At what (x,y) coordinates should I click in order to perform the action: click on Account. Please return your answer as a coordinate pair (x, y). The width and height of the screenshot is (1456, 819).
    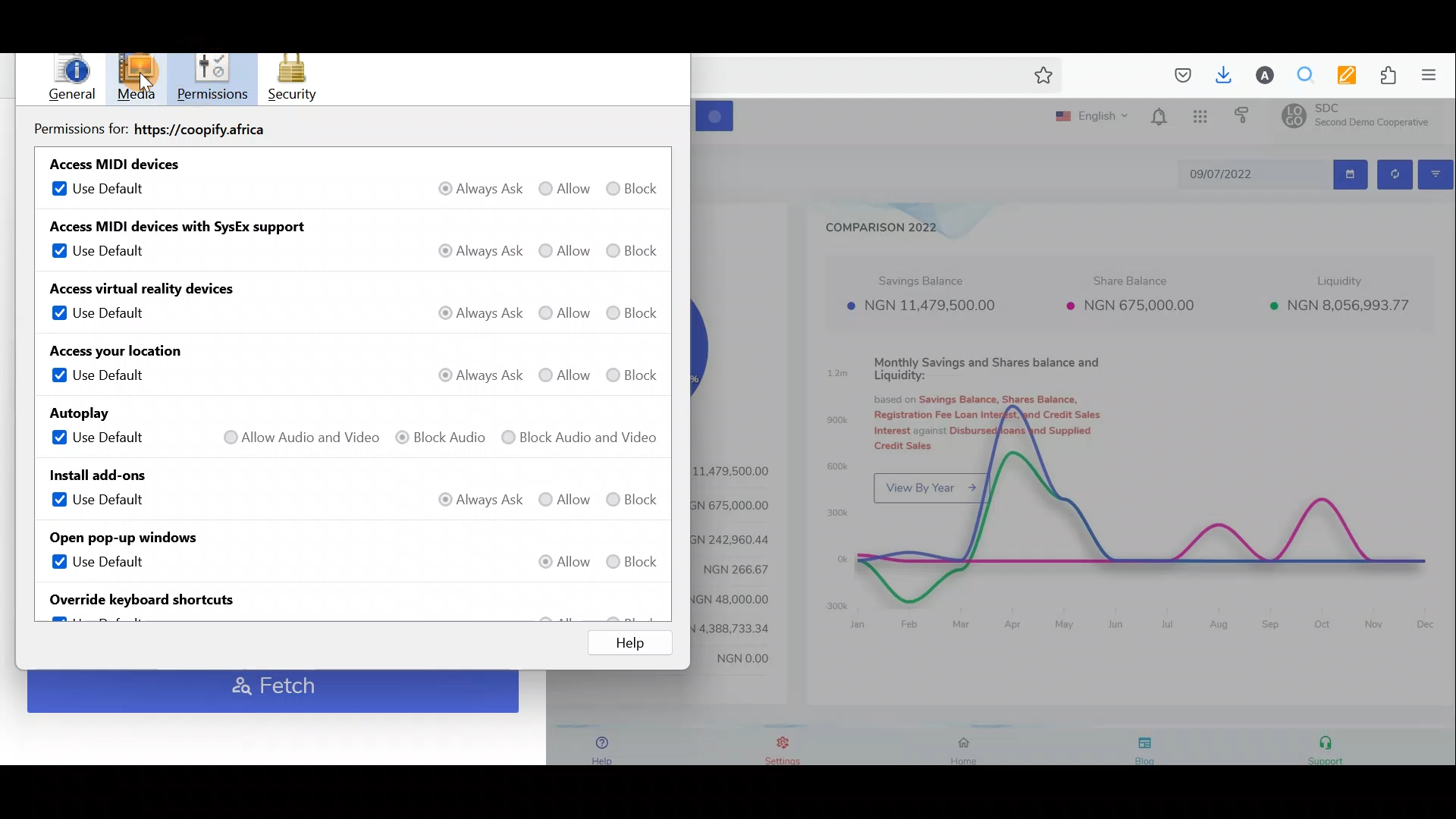
    Looking at the image, I should click on (1259, 75).